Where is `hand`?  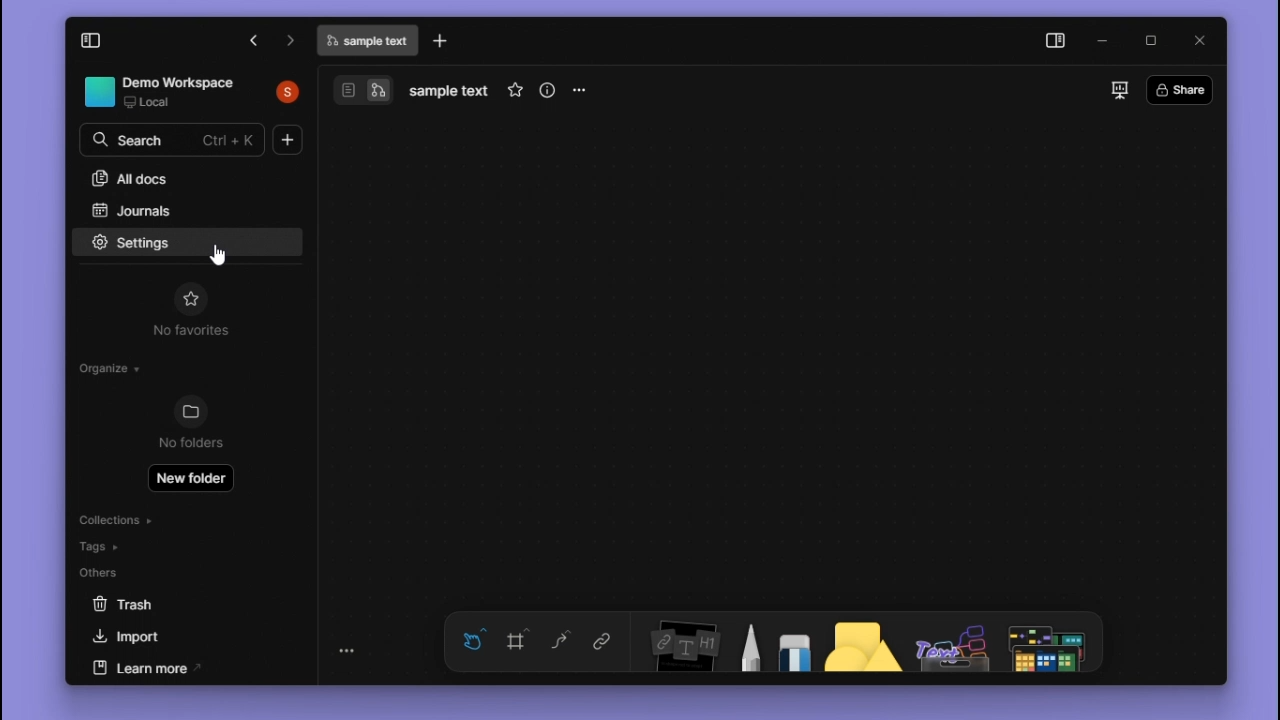
hand is located at coordinates (474, 640).